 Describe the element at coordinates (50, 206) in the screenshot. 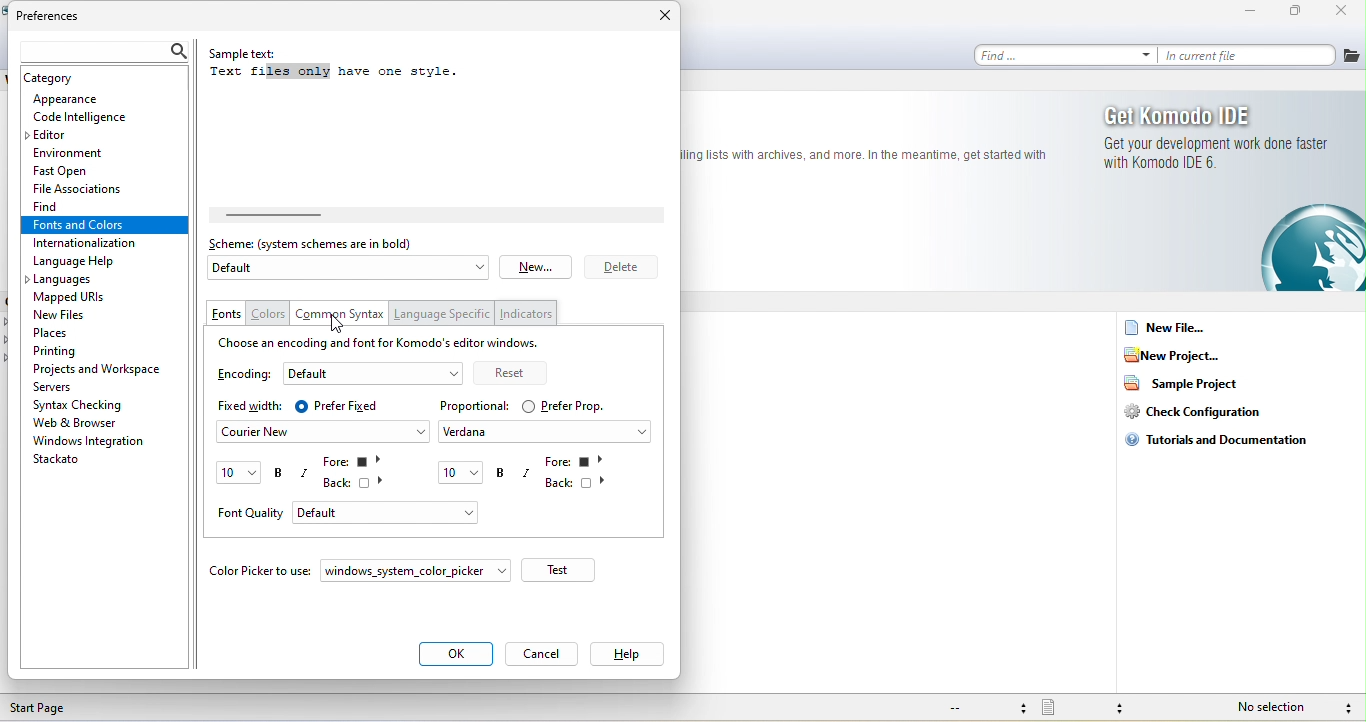

I see `find` at that location.